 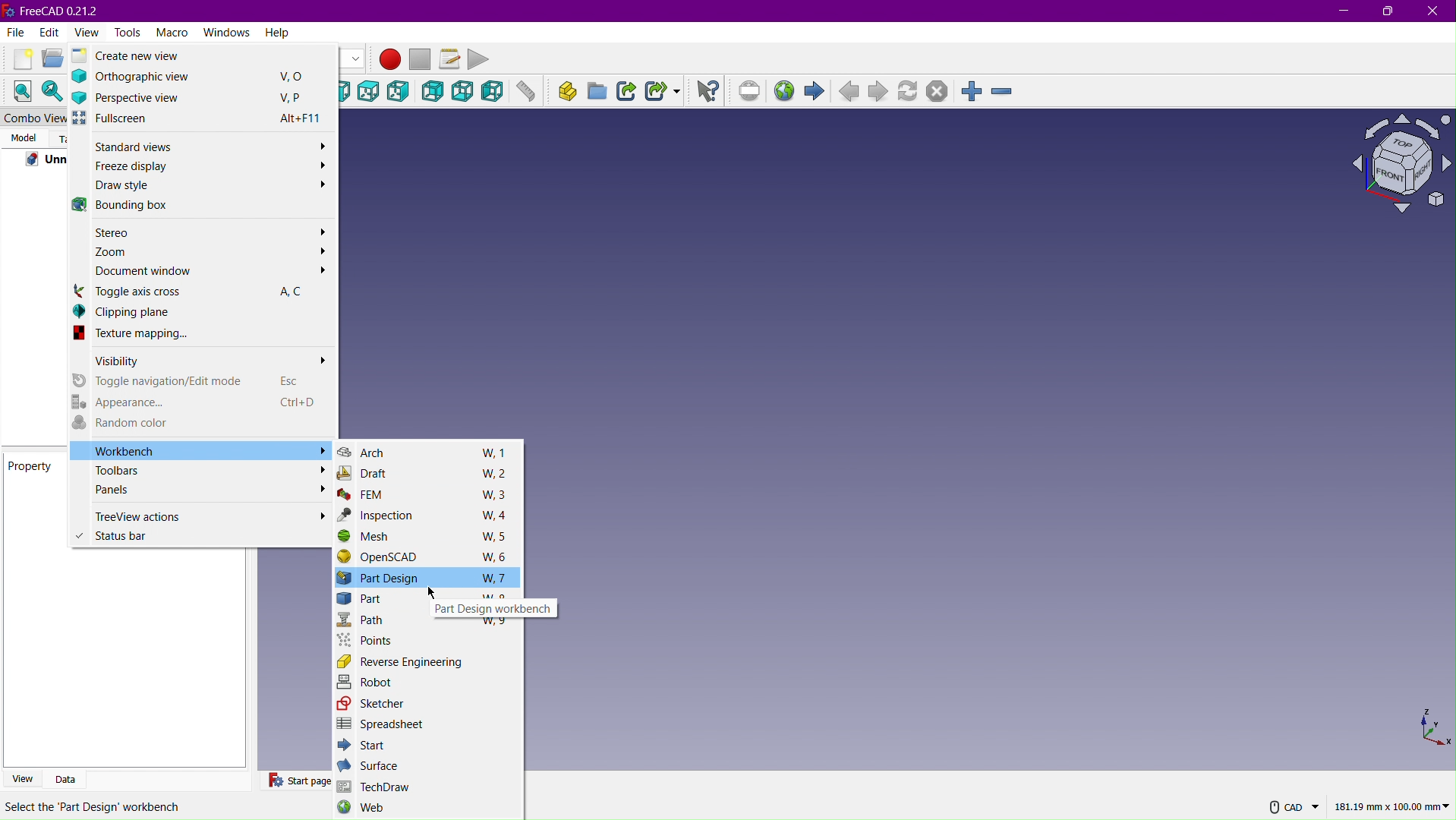 I want to click on 181.19 mm x 100.00mm, so click(x=1392, y=809).